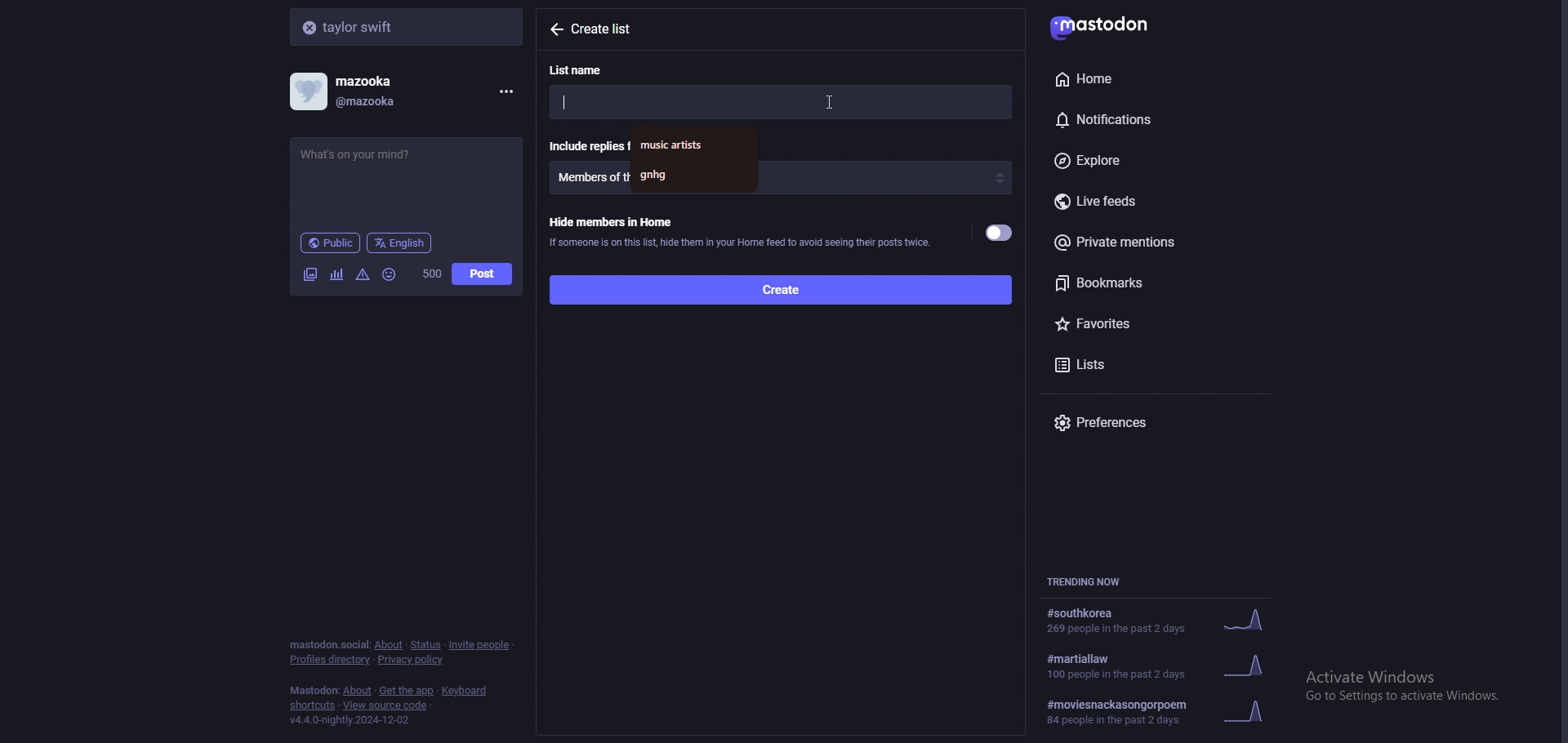 This screenshot has width=1568, height=743. What do you see at coordinates (1158, 283) in the screenshot?
I see `bookmarks` at bounding box center [1158, 283].